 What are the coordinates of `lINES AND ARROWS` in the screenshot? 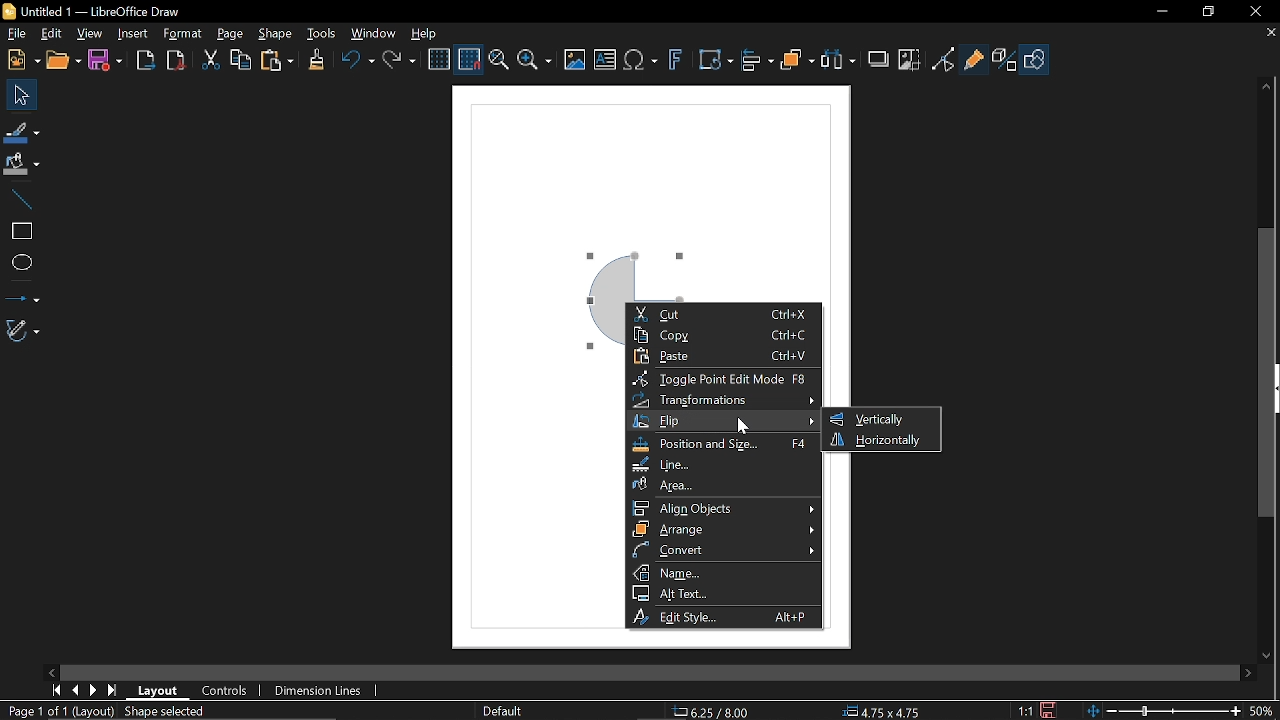 It's located at (22, 294).